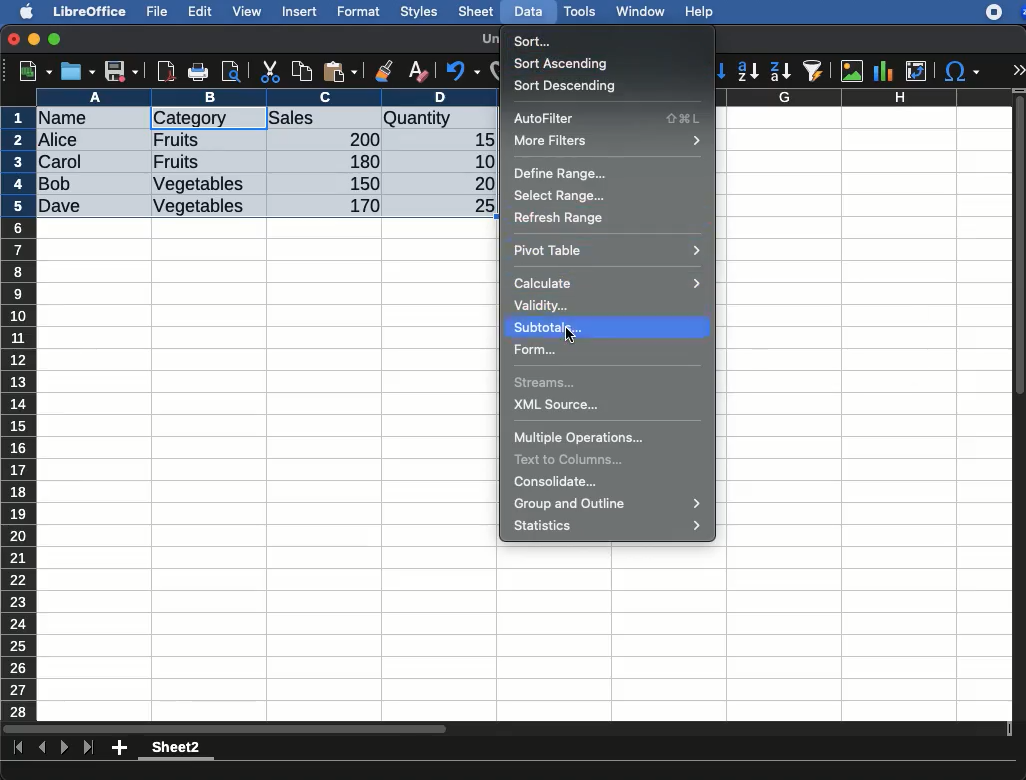  I want to click on styles, so click(417, 14).